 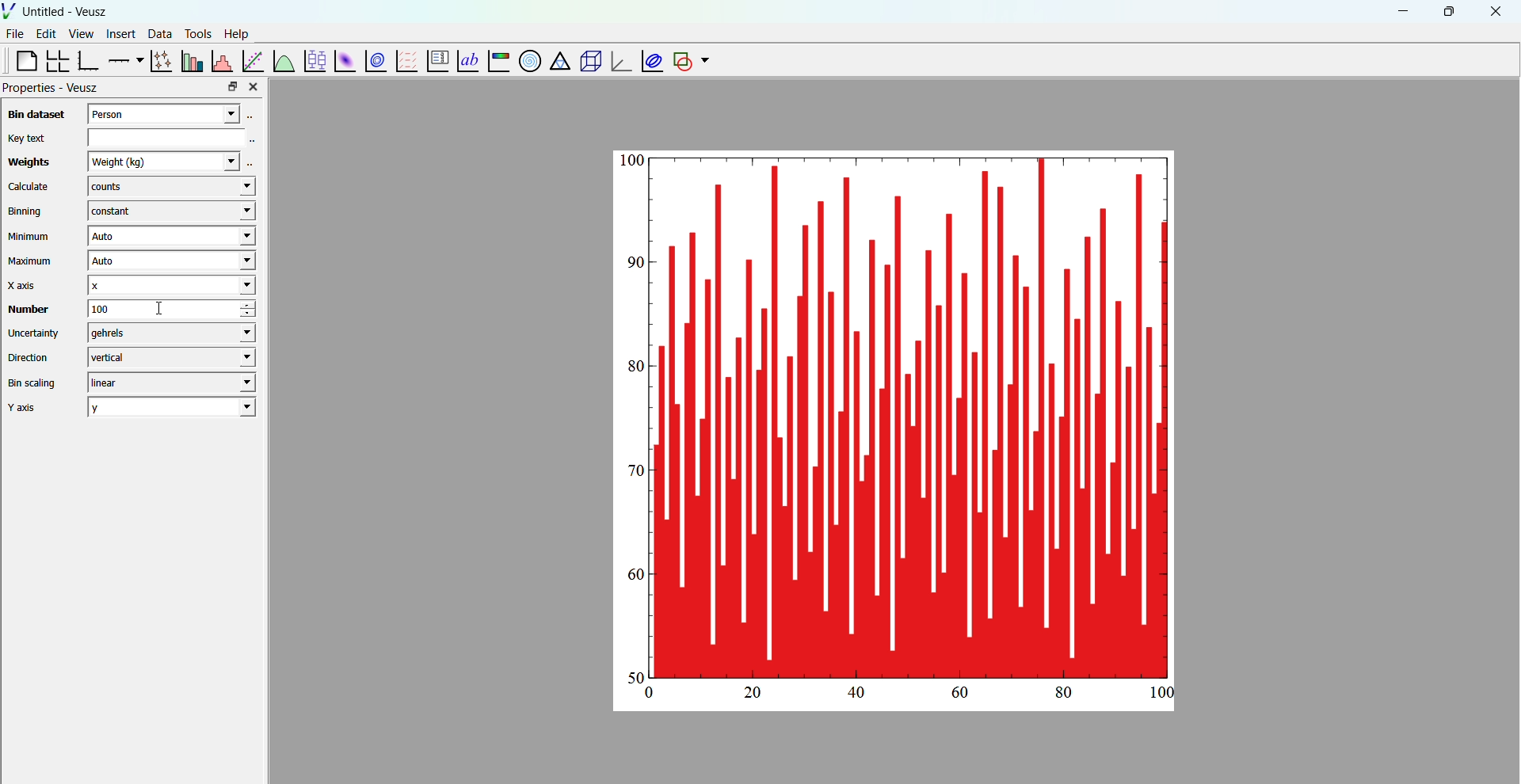 What do you see at coordinates (88, 61) in the screenshot?
I see `base graph` at bounding box center [88, 61].